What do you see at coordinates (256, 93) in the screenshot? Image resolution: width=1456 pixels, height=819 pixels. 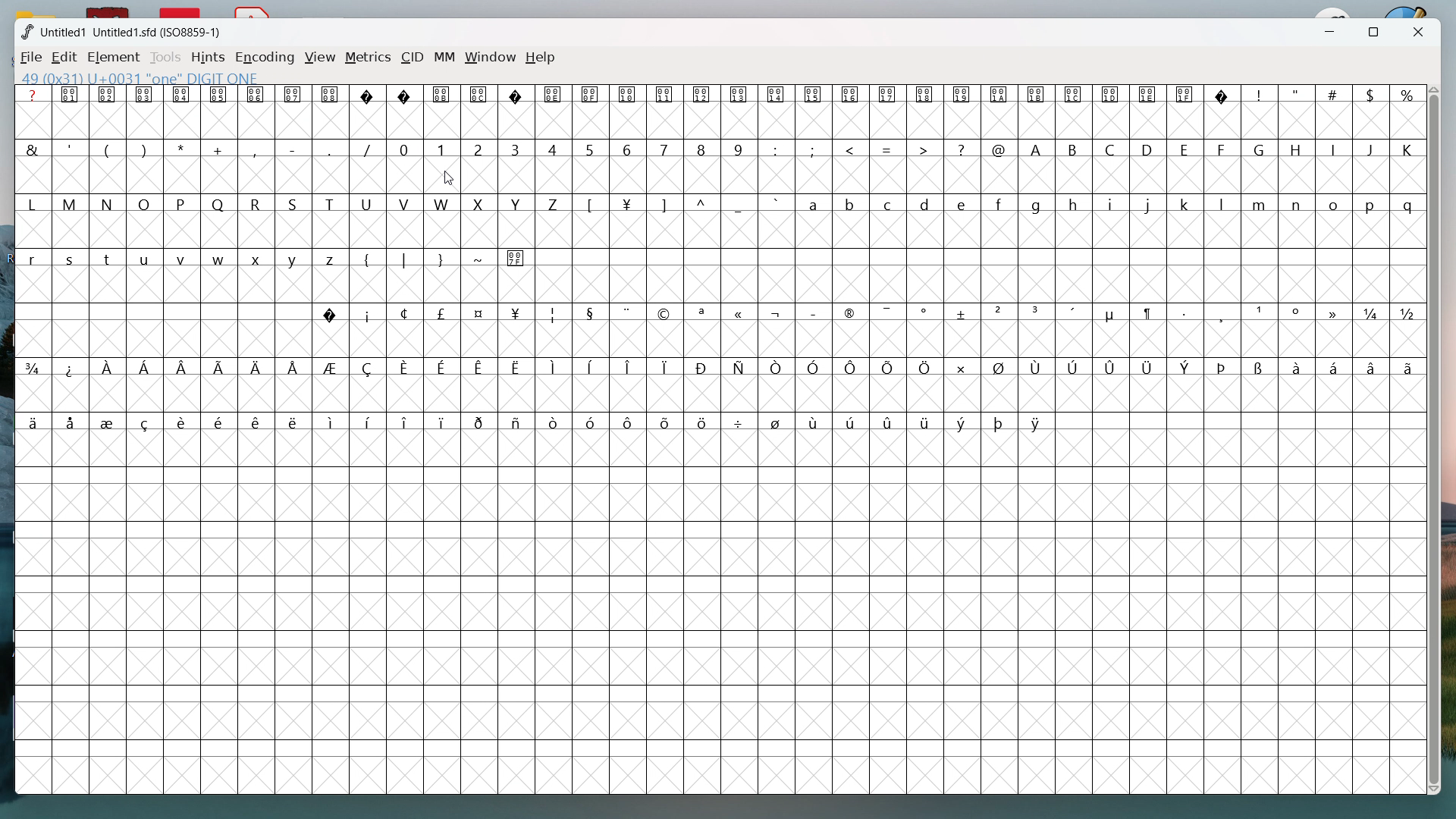 I see `symbol` at bounding box center [256, 93].